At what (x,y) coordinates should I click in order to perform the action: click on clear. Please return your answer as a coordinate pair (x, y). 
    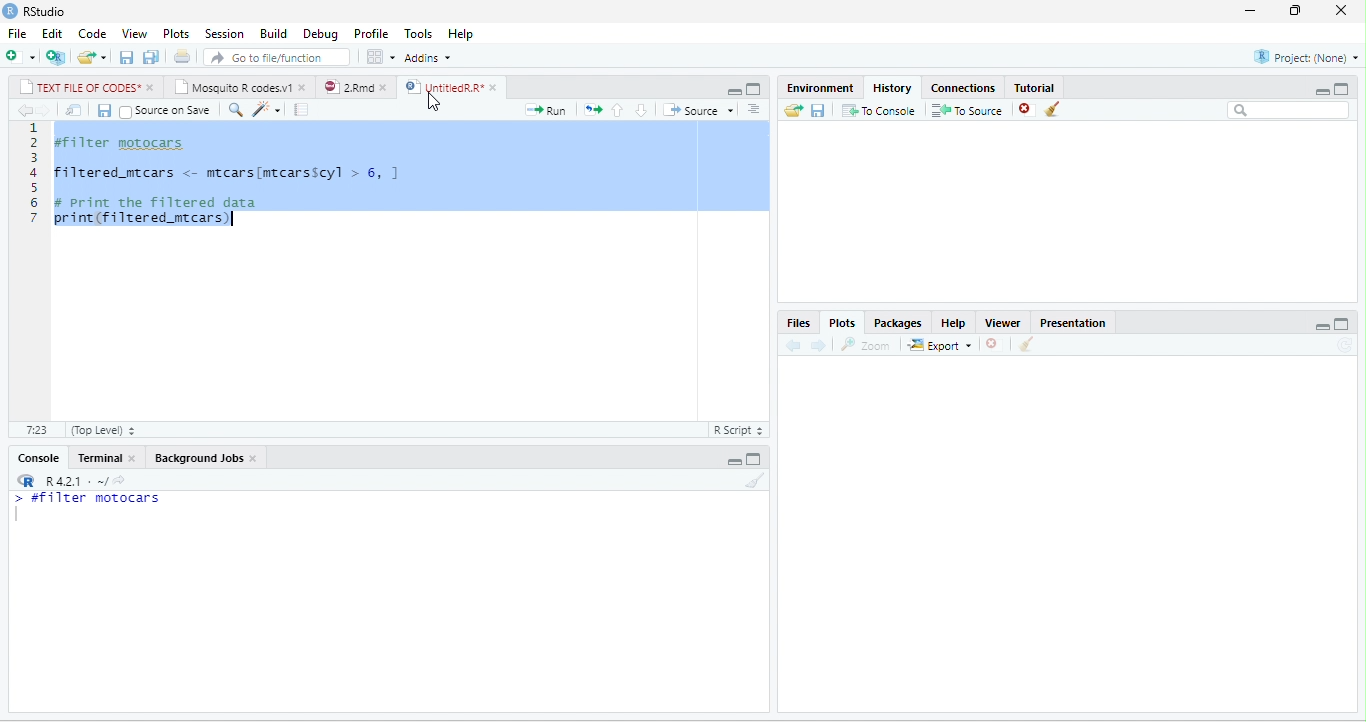
    Looking at the image, I should click on (1026, 344).